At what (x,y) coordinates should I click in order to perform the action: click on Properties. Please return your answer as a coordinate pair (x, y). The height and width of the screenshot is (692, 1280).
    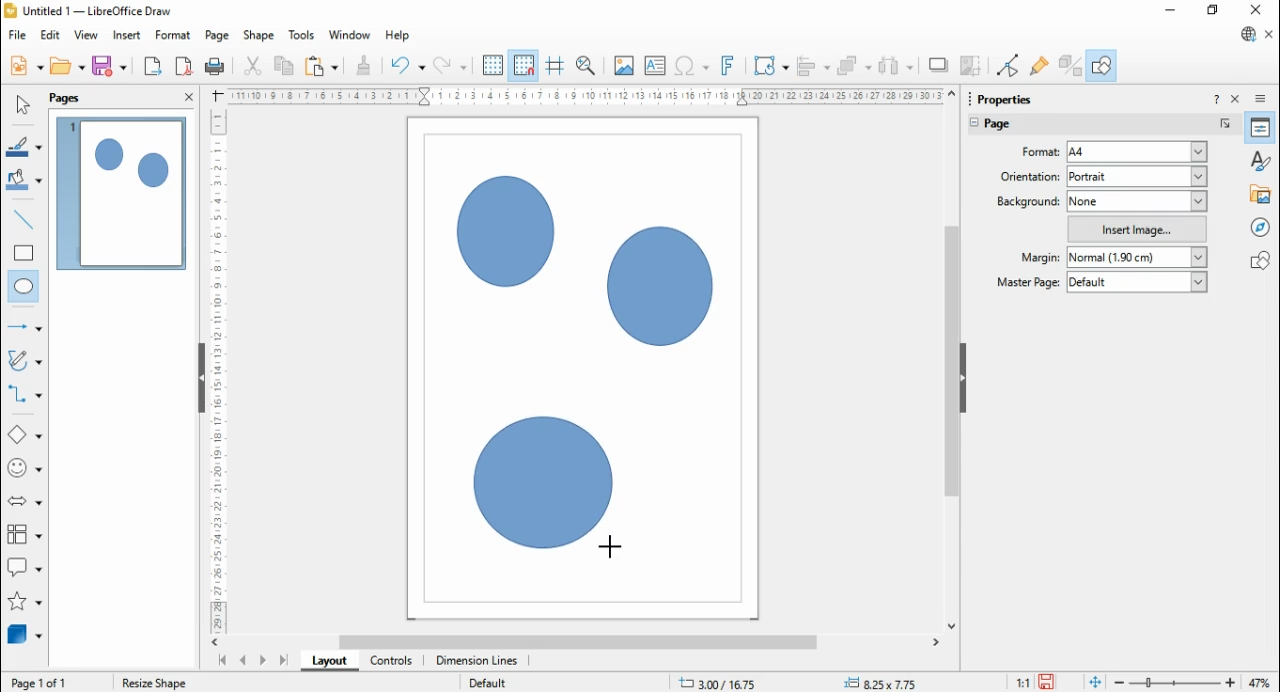
    Looking at the image, I should click on (1005, 99).